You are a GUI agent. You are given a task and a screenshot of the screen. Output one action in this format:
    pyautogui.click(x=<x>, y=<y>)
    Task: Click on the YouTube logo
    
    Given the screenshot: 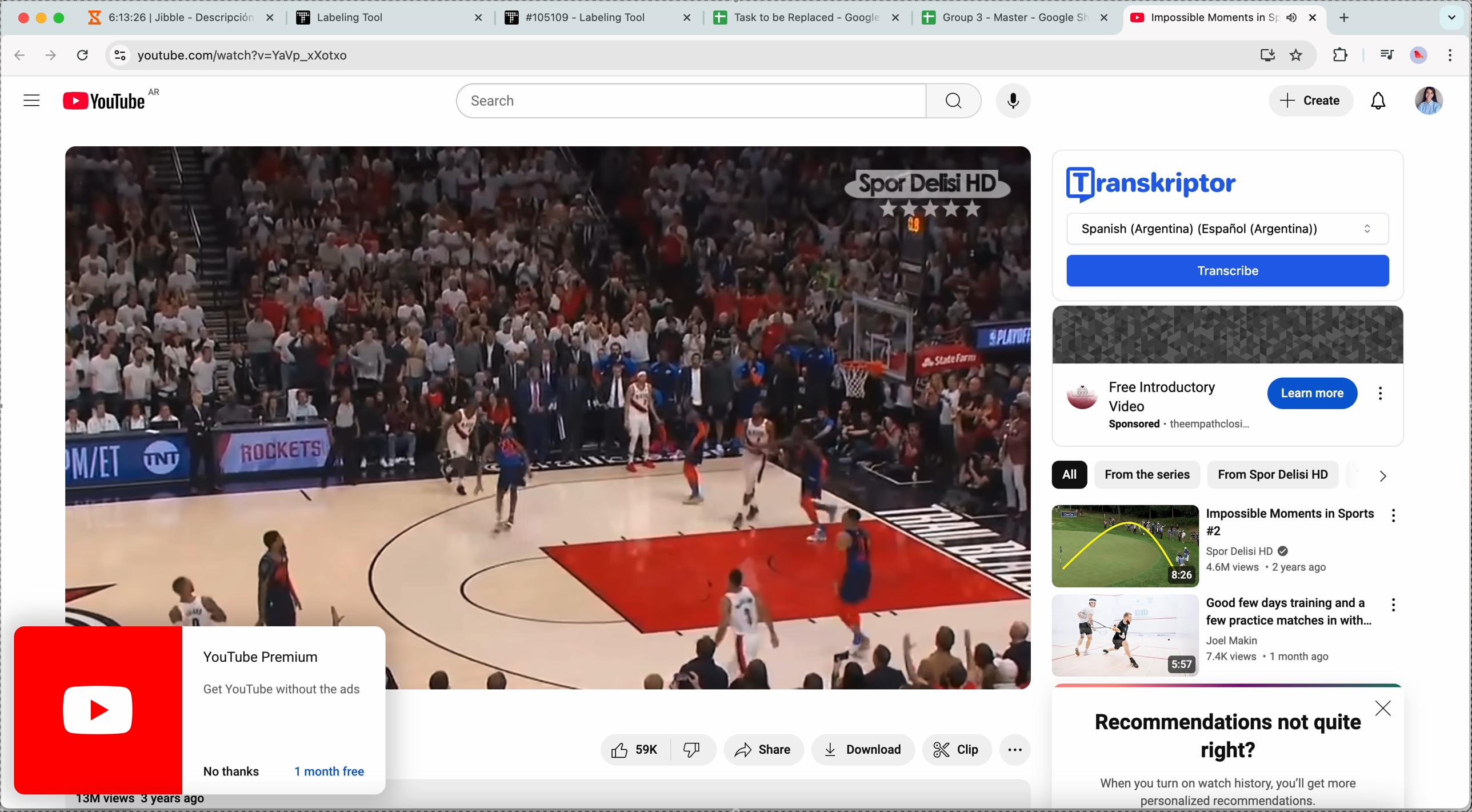 What is the action you would take?
    pyautogui.click(x=116, y=101)
    